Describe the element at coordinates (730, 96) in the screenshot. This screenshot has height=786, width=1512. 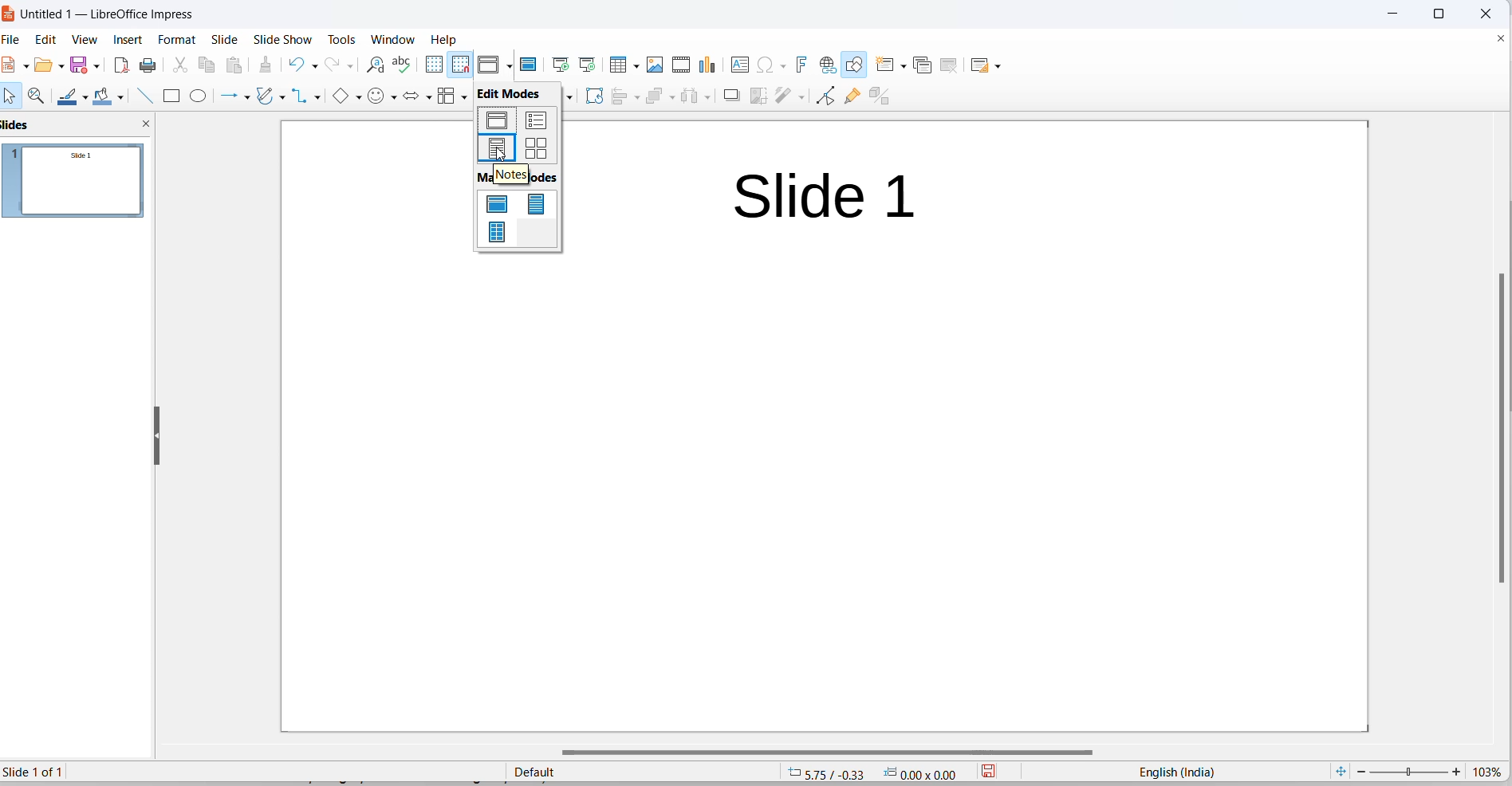
I see `shadow` at that location.